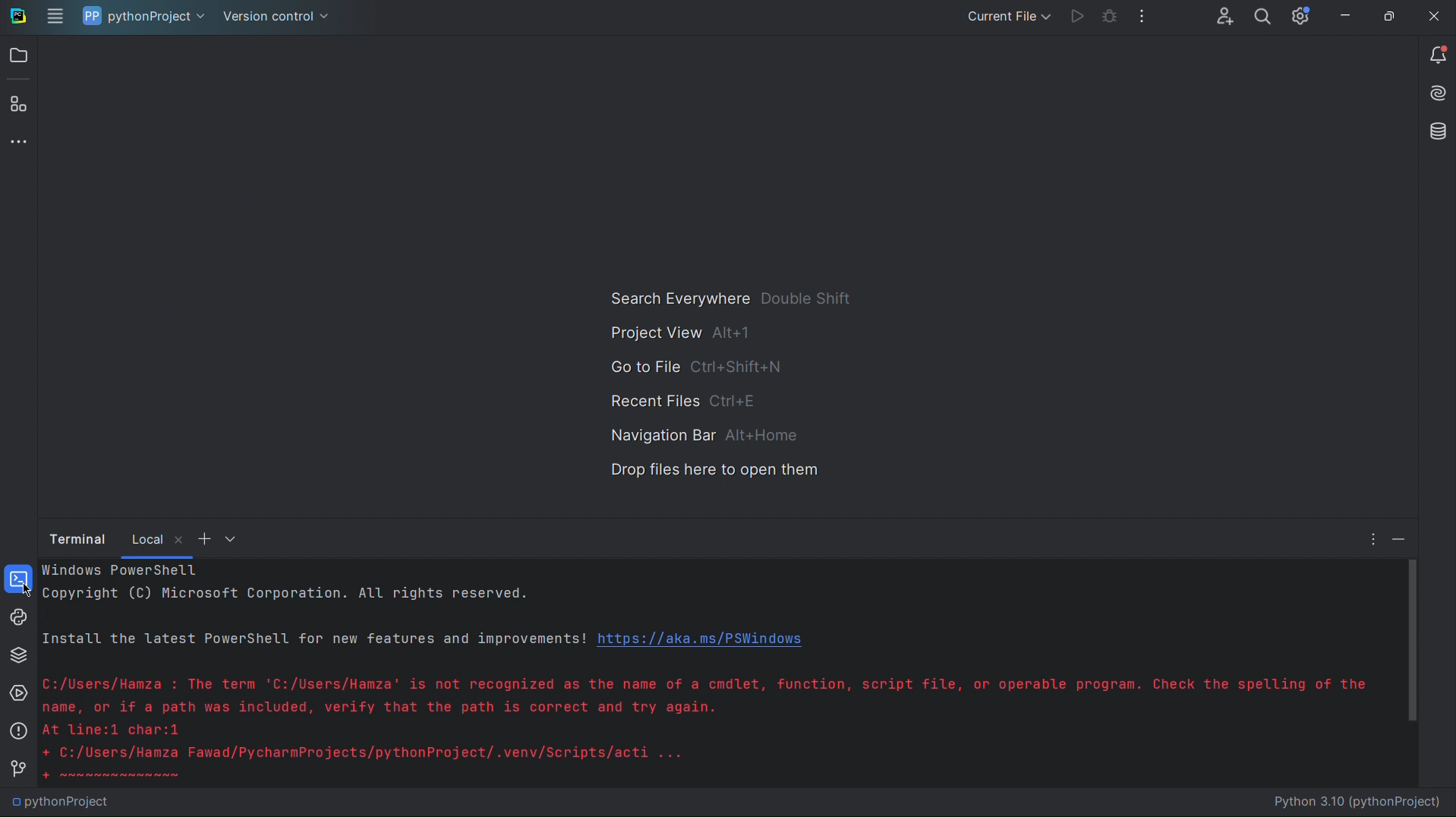 The height and width of the screenshot is (817, 1456). What do you see at coordinates (1006, 18) in the screenshot?
I see `Current File` at bounding box center [1006, 18].